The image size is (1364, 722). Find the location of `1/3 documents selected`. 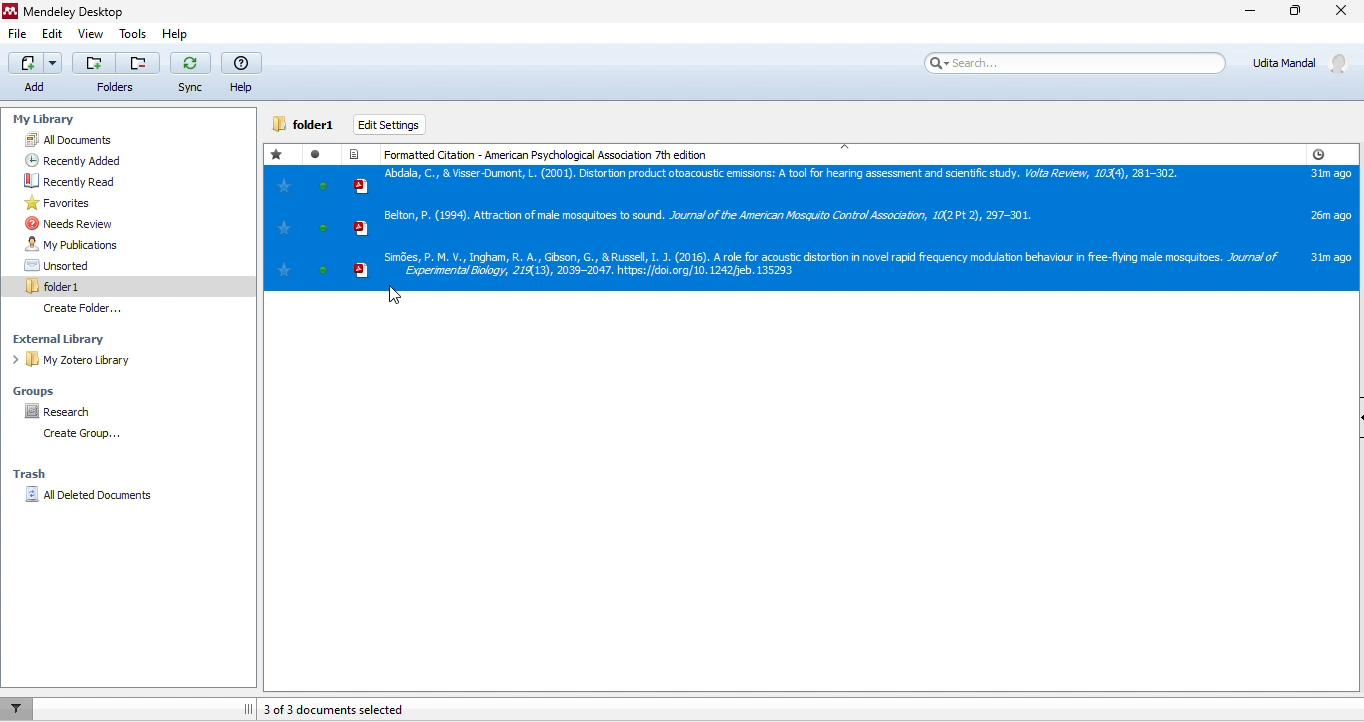

1/3 documents selected is located at coordinates (355, 709).